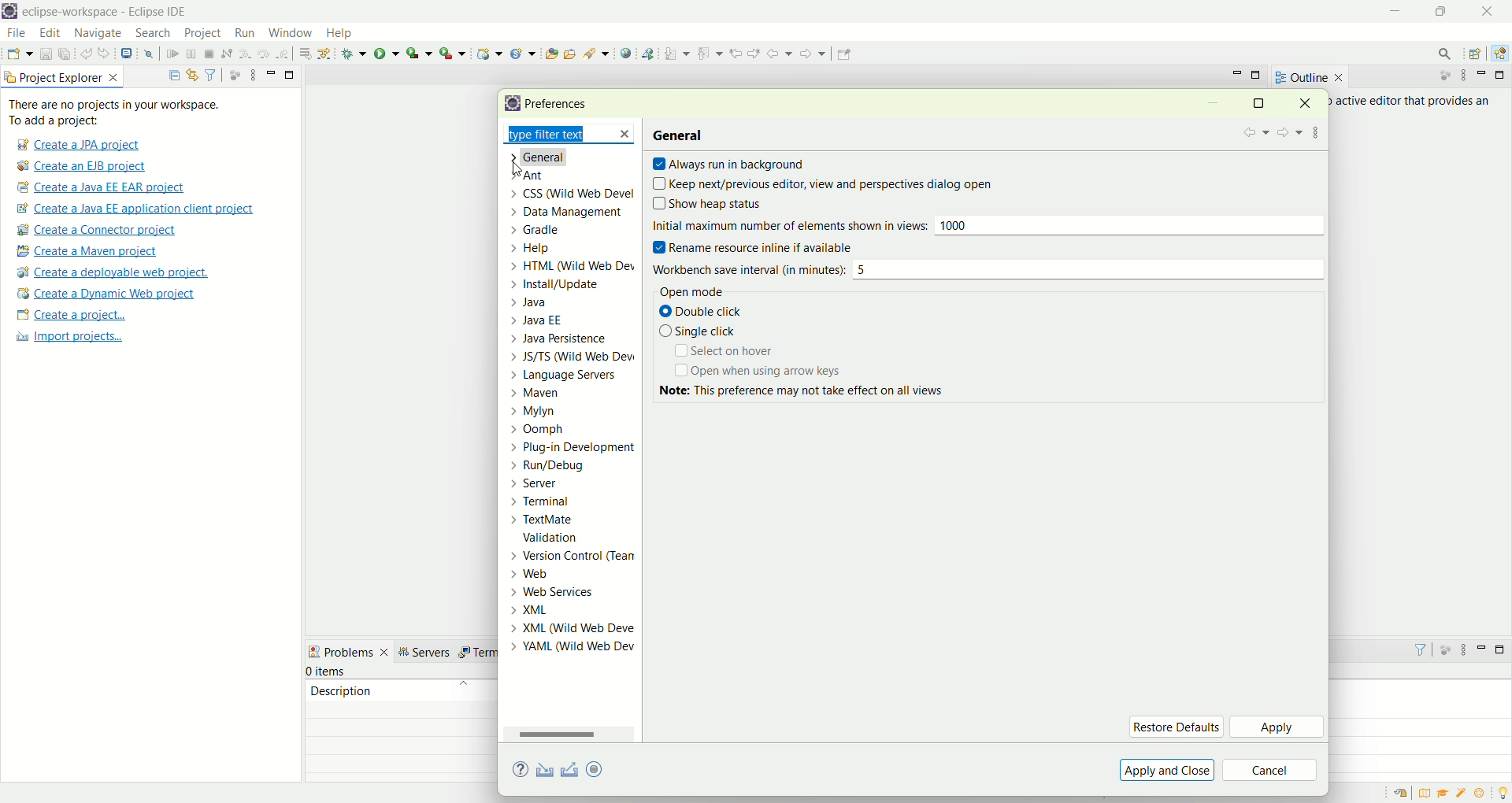 This screenshot has height=803, width=1512. Describe the element at coordinates (713, 52) in the screenshot. I see `previous annotation` at that location.